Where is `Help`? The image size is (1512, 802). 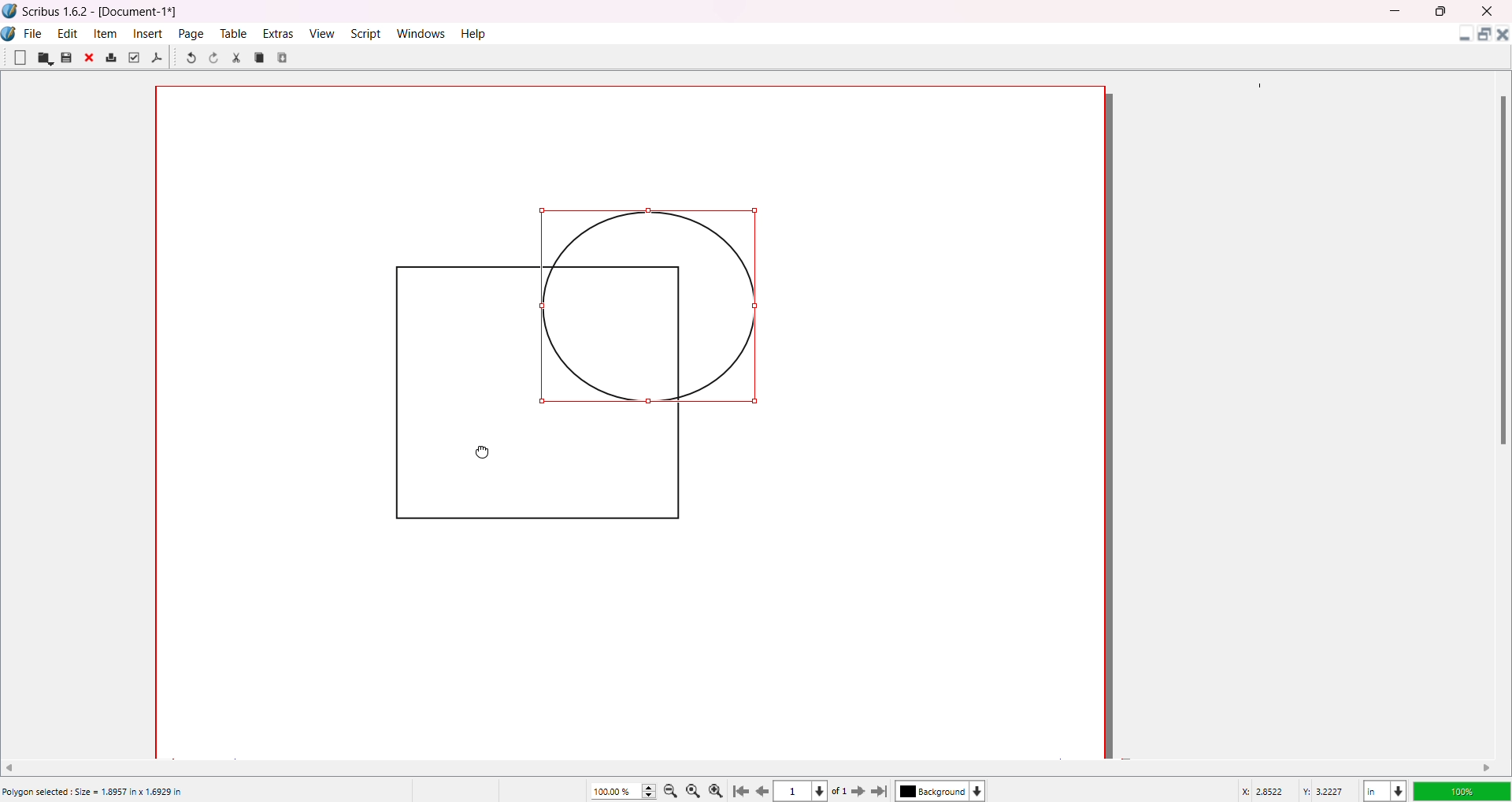 Help is located at coordinates (475, 33).